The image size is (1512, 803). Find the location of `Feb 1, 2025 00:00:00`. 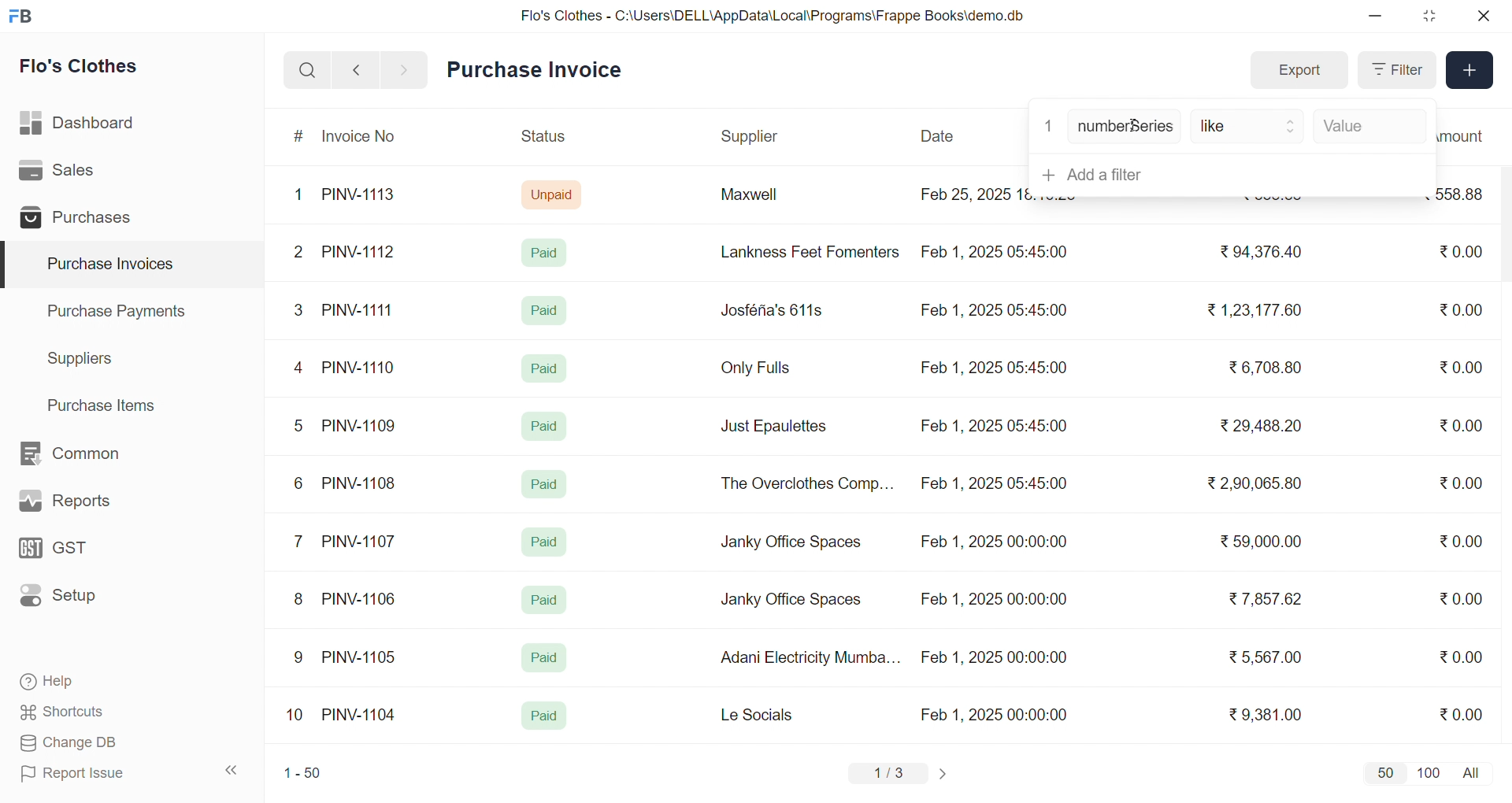

Feb 1, 2025 00:00:00 is located at coordinates (993, 544).